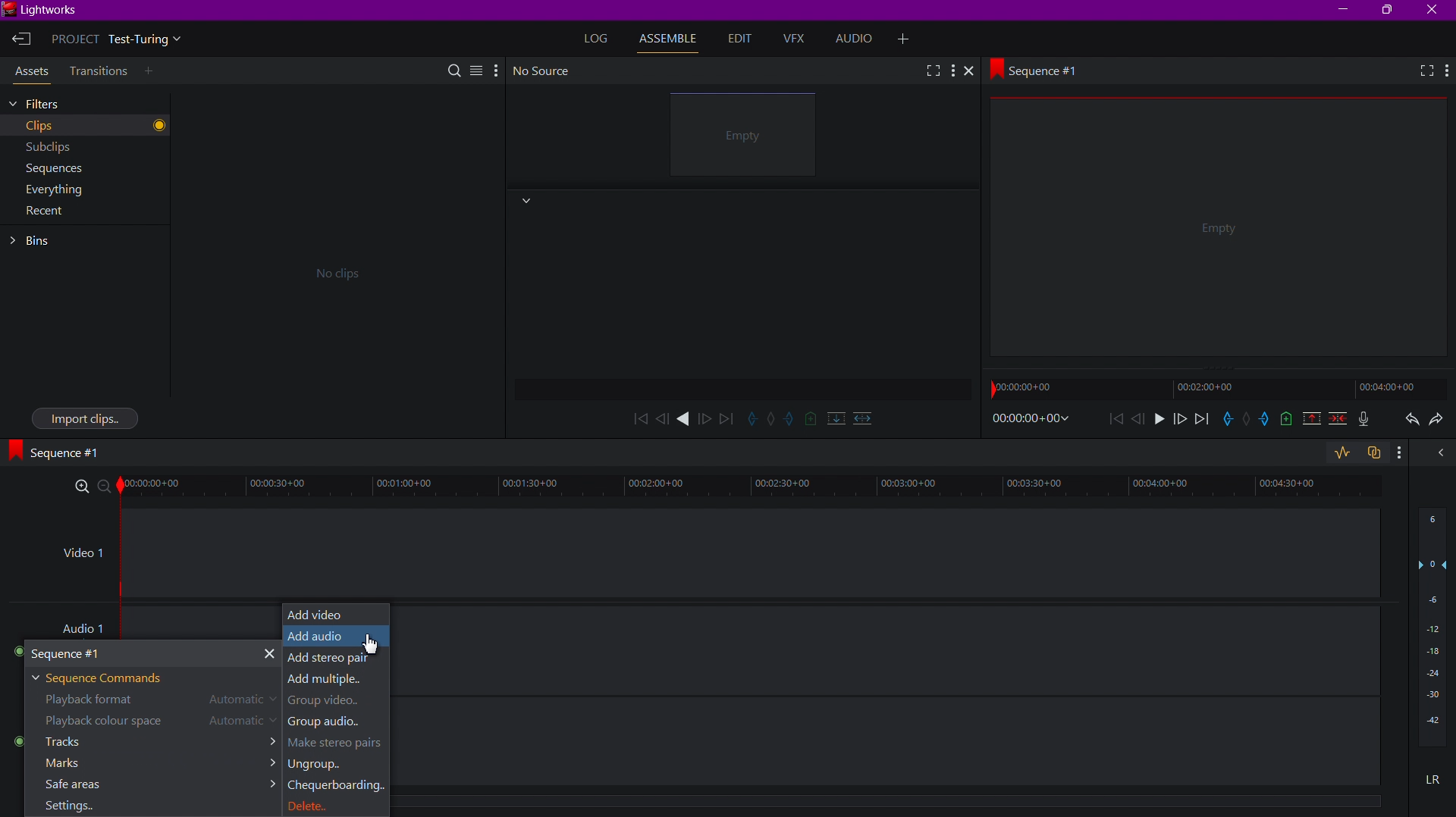  I want to click on Lightworks, so click(45, 11).